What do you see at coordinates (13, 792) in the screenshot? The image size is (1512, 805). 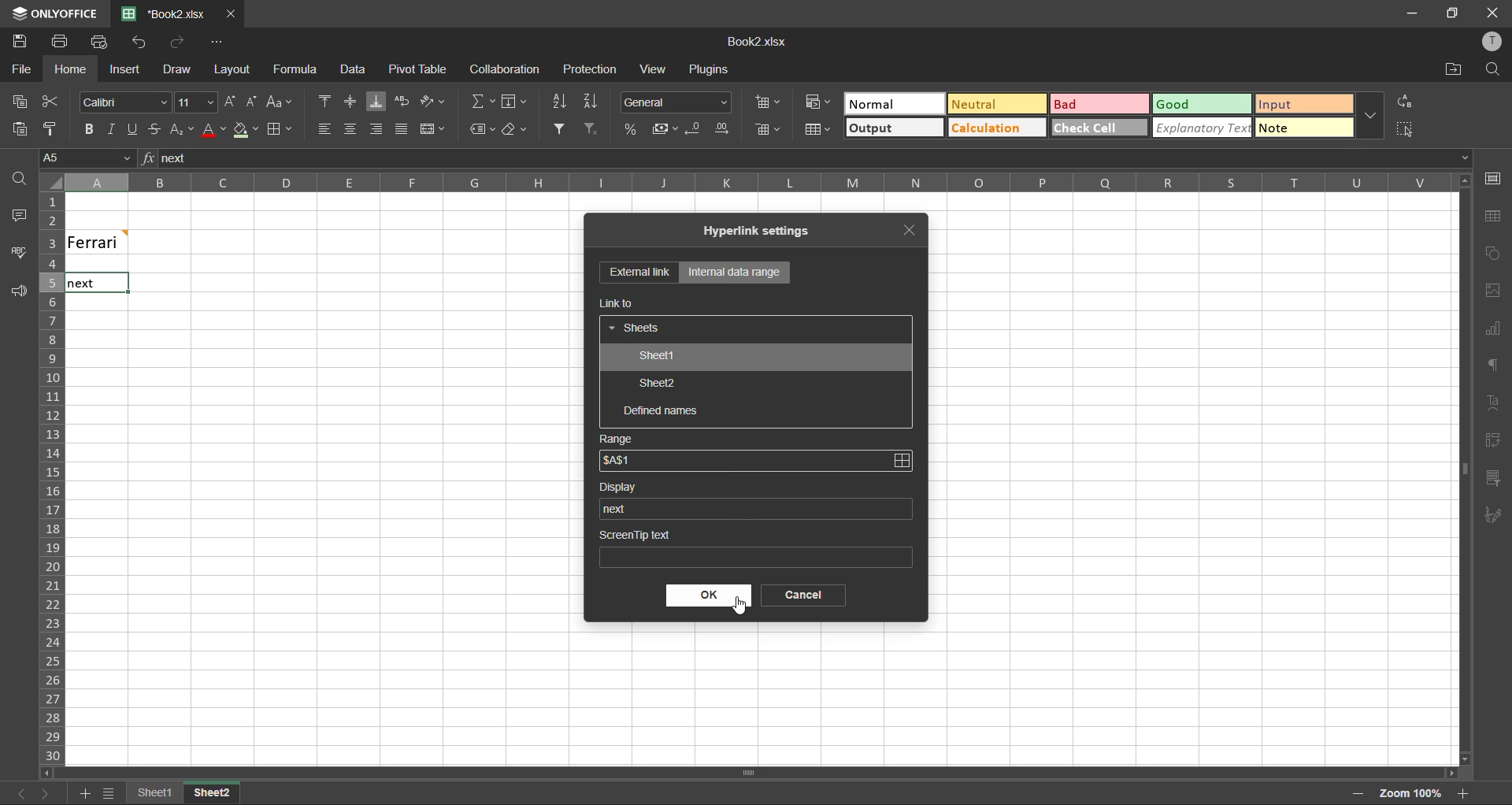 I see `previous` at bounding box center [13, 792].